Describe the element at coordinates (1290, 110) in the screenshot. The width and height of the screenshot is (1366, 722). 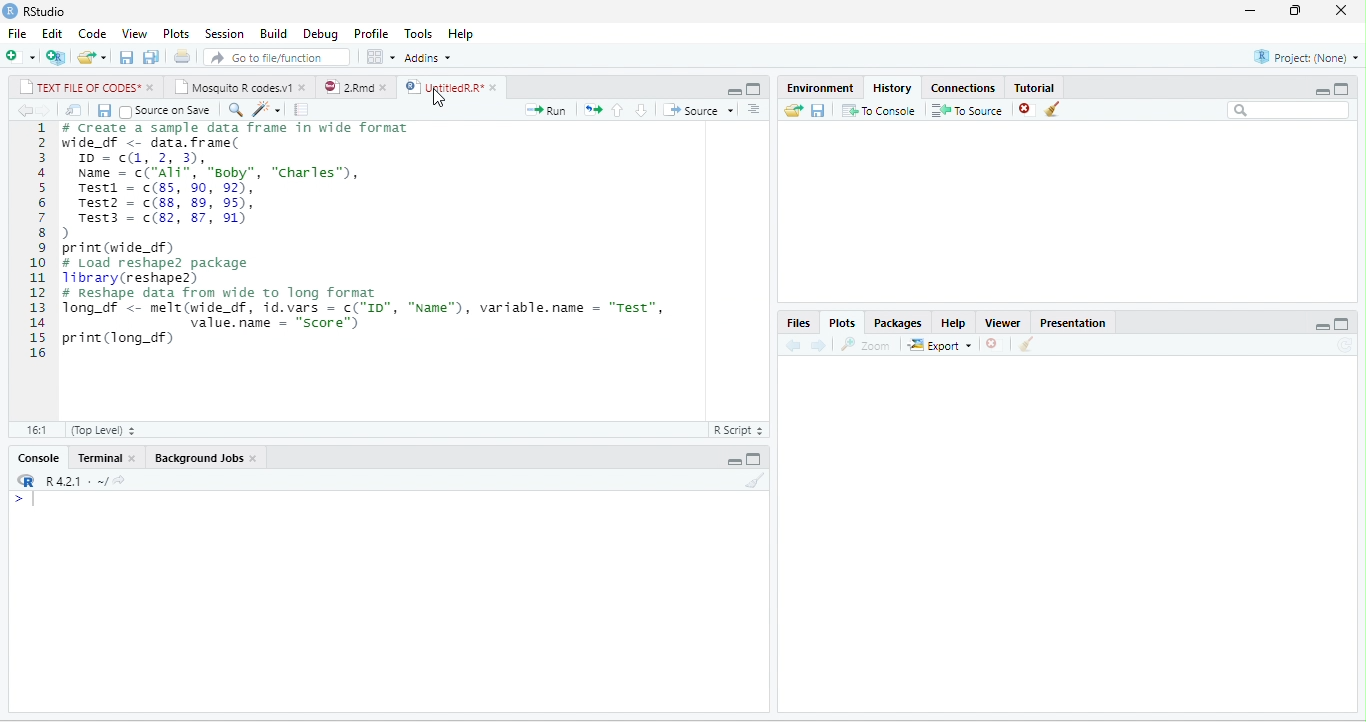
I see `search bar` at that location.